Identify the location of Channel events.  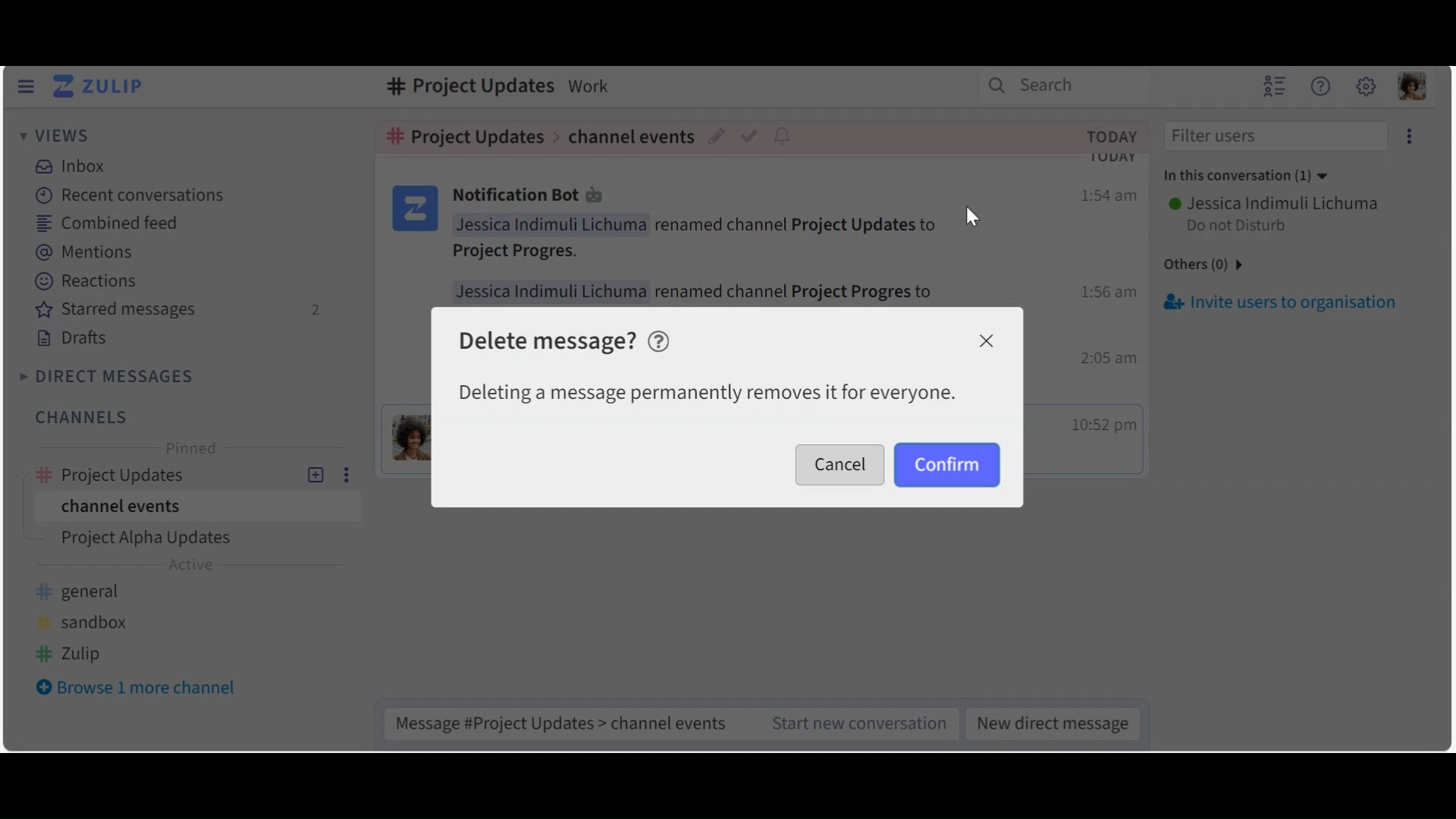
(631, 134).